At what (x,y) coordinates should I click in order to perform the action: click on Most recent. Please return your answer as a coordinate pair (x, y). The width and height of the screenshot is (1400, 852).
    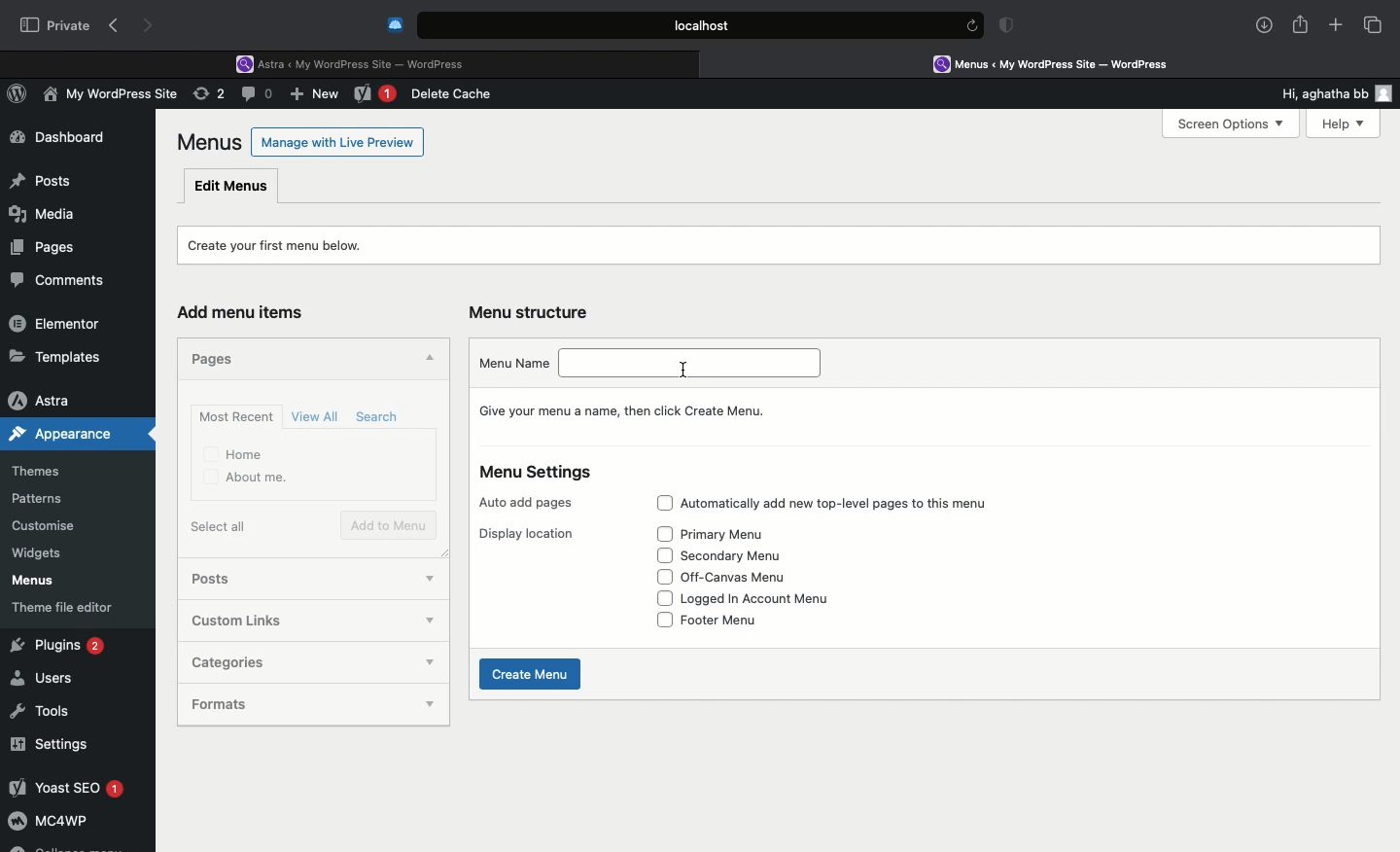
    Looking at the image, I should click on (233, 416).